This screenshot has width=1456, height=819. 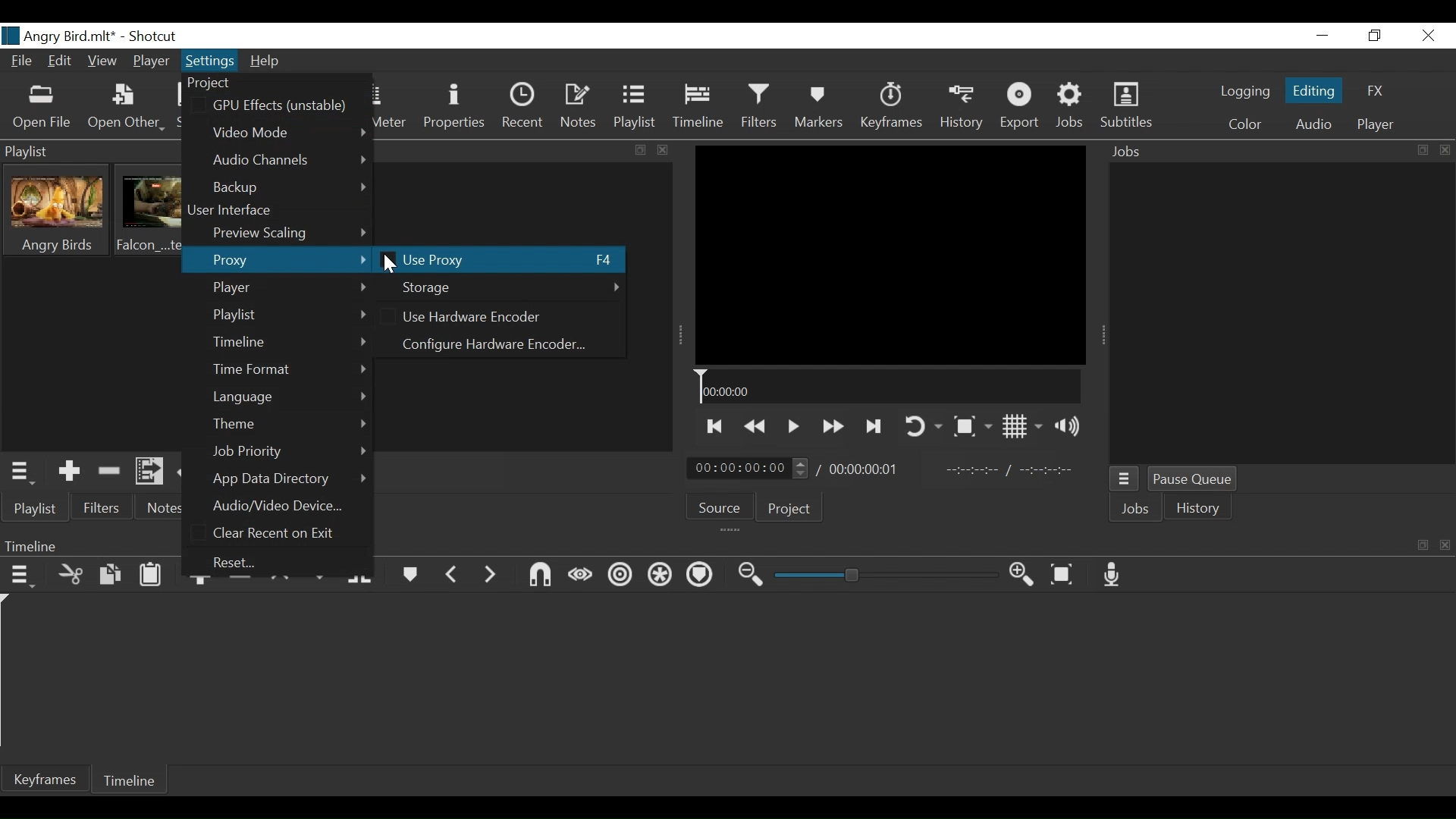 I want to click on (un)select use proxy, so click(x=500, y=260).